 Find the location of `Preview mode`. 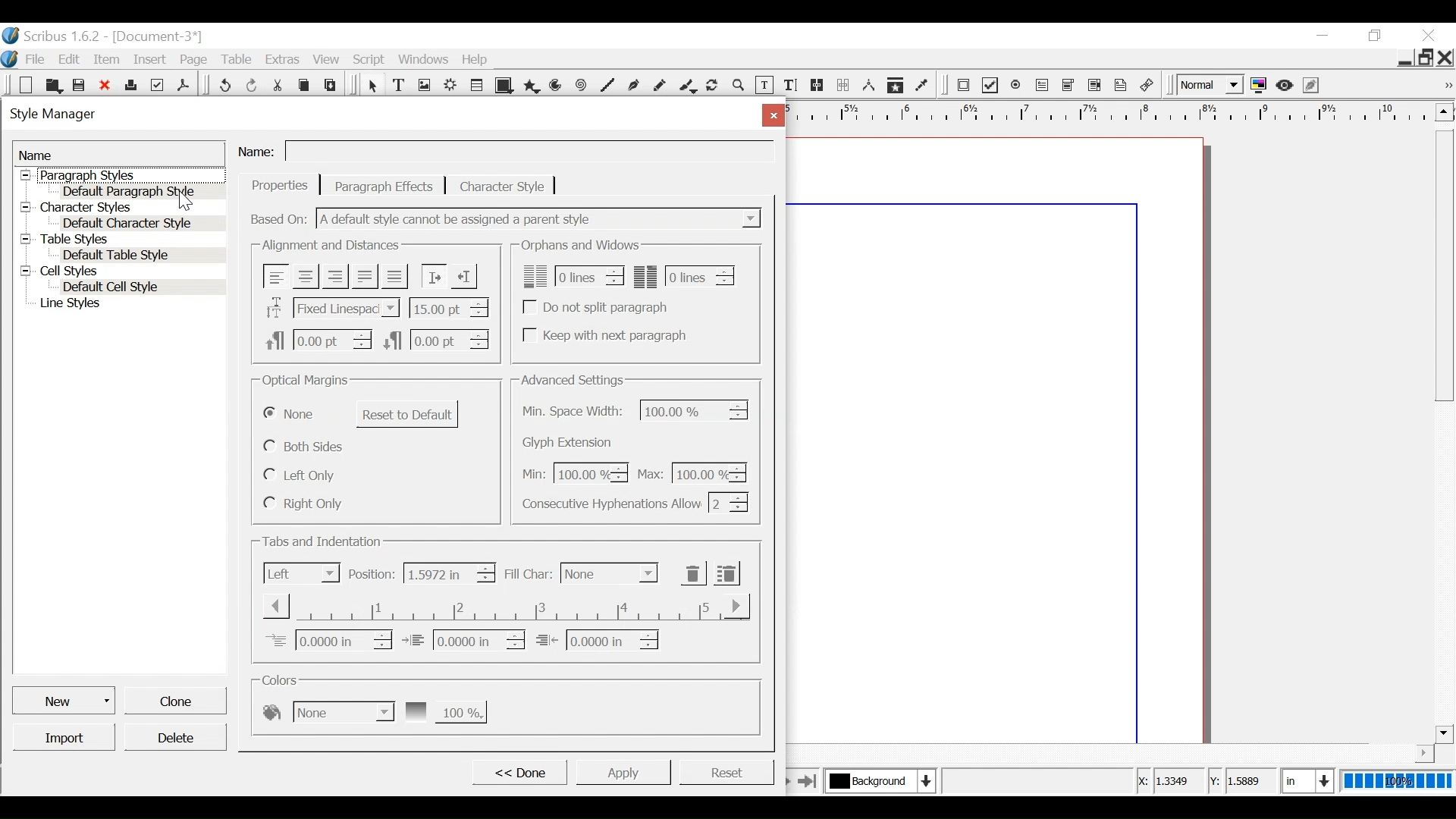

Preview mode is located at coordinates (1286, 85).